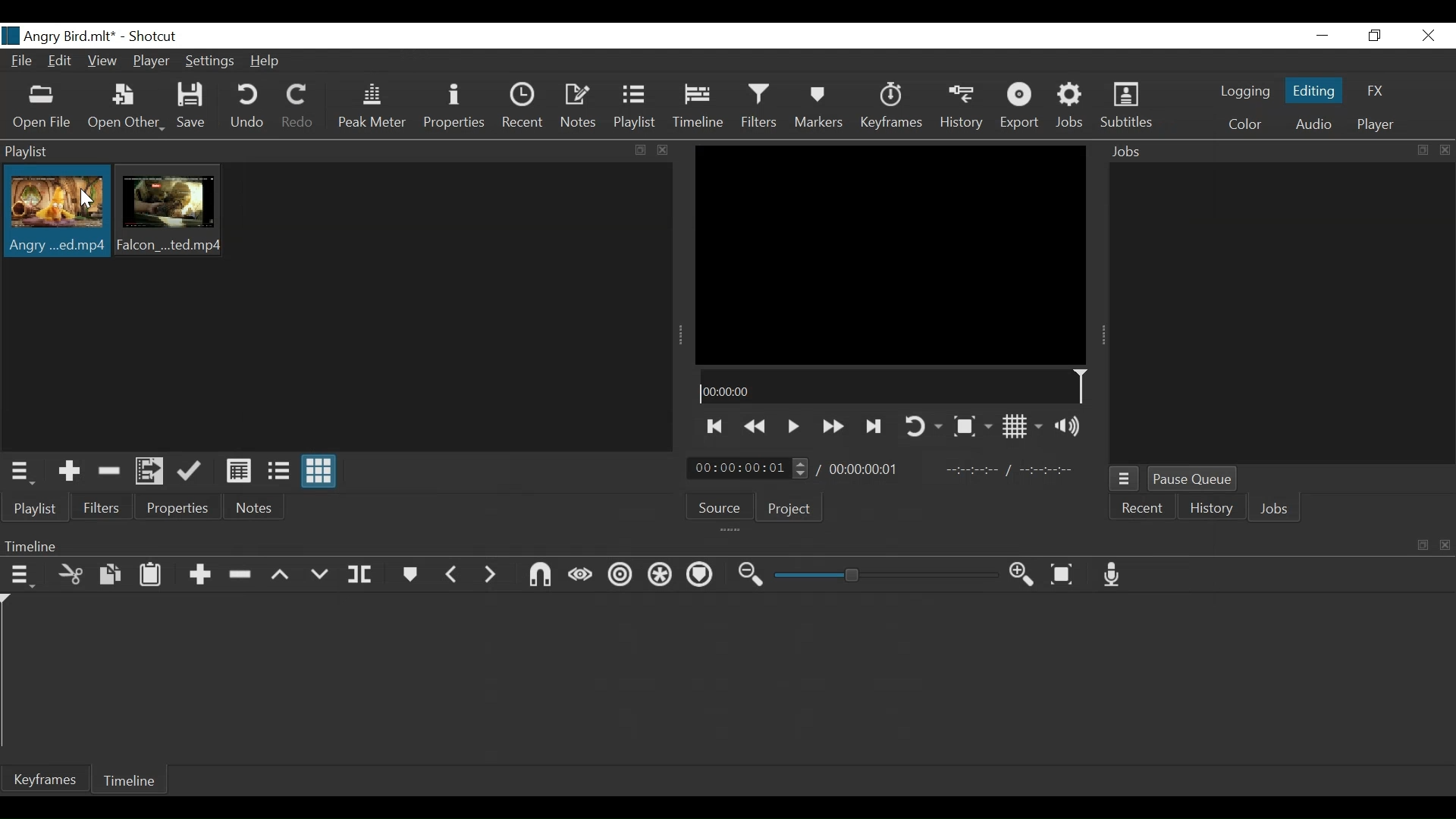  What do you see at coordinates (151, 471) in the screenshot?
I see `Add files to the playlist` at bounding box center [151, 471].